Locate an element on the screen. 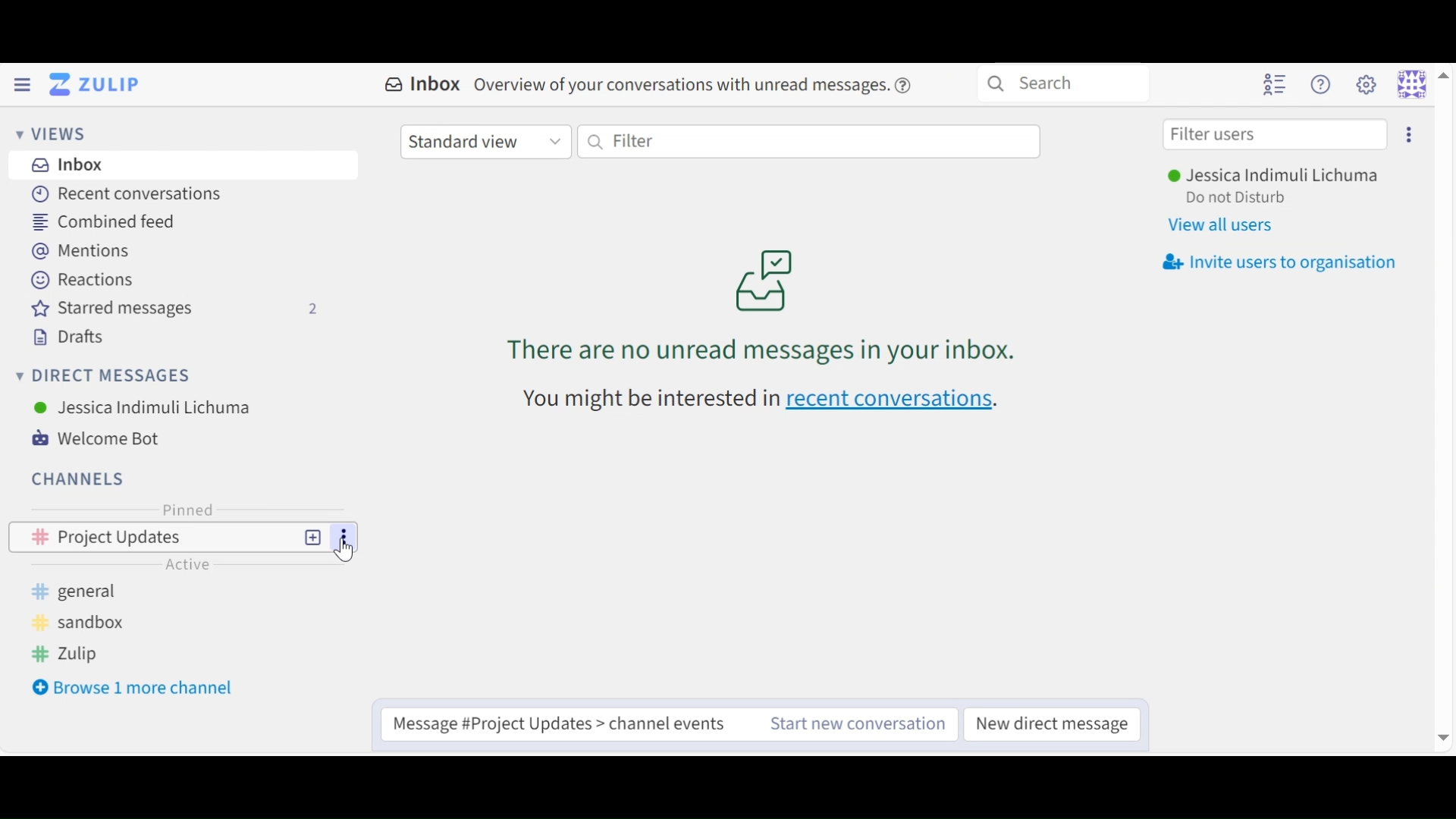 The image size is (1456, 819). Options is located at coordinates (352, 538).